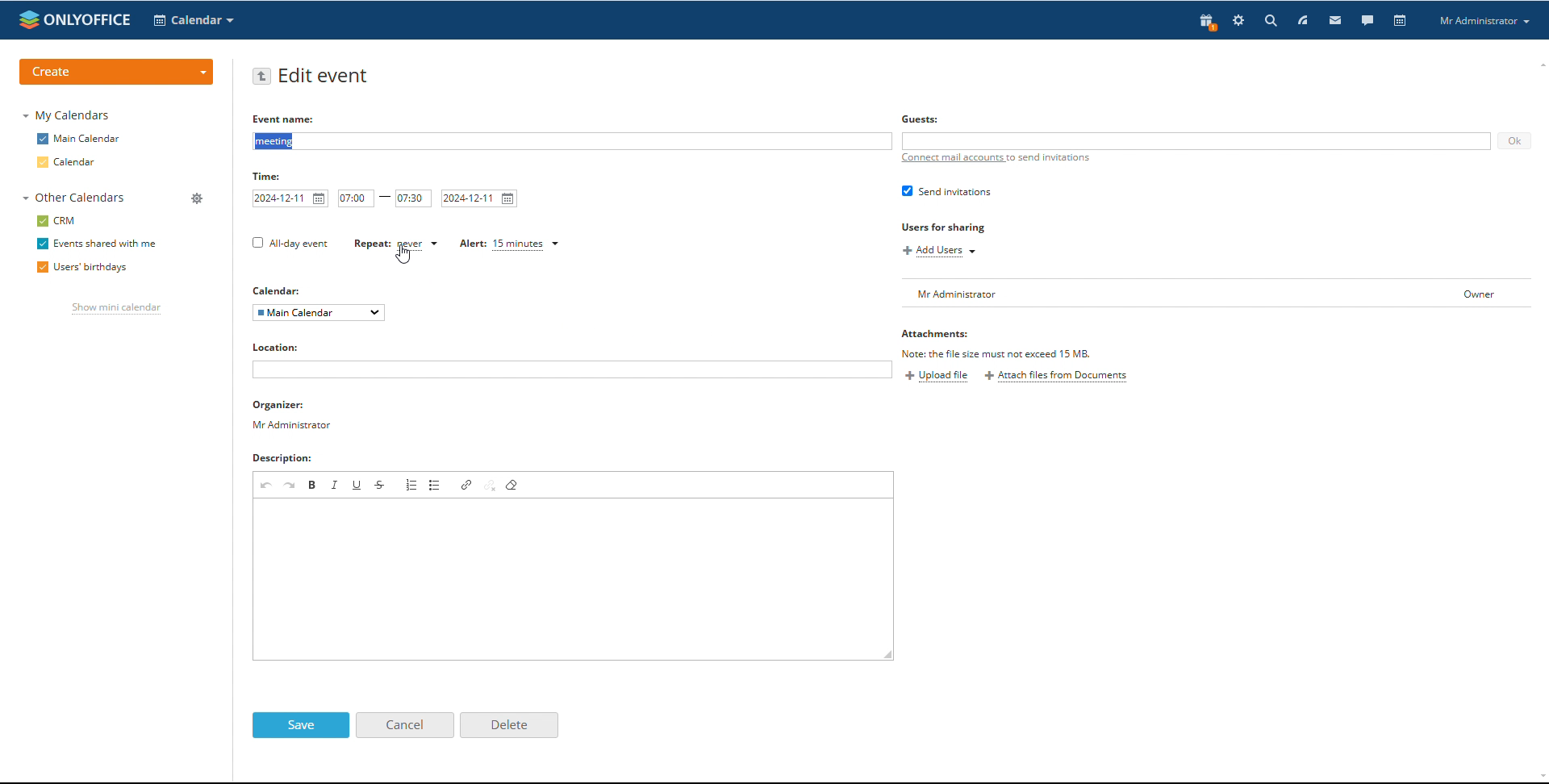  Describe the element at coordinates (1238, 20) in the screenshot. I see `settings` at that location.